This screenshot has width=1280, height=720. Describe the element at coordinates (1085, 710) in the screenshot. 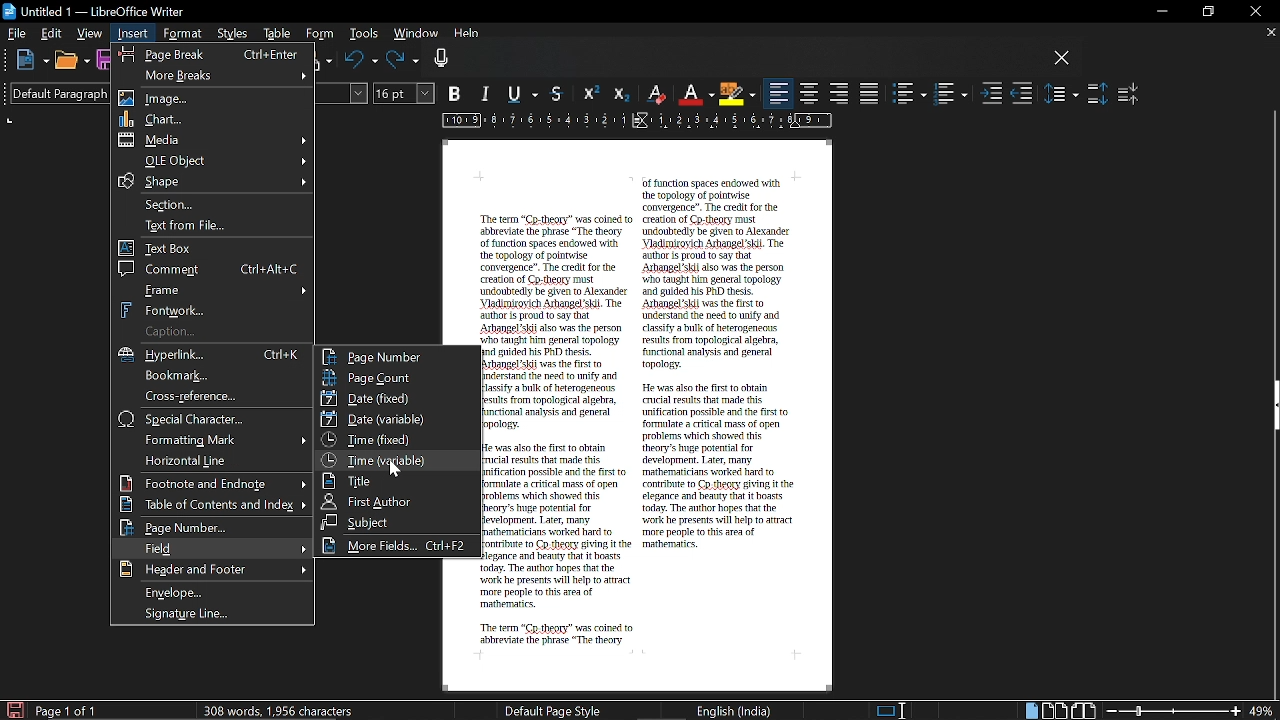

I see `Book view` at that location.